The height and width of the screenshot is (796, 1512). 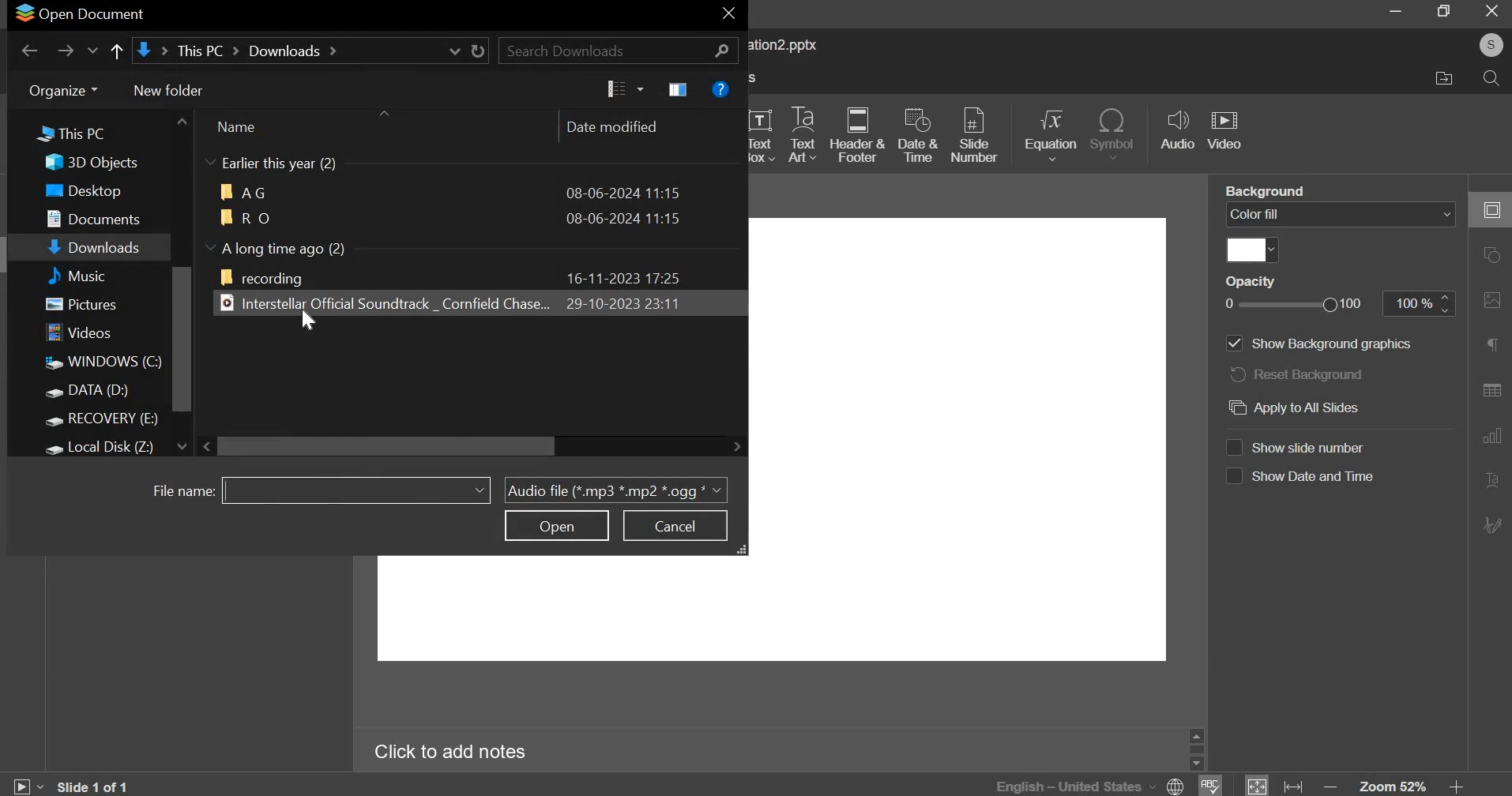 I want to click on date & time, so click(x=918, y=134).